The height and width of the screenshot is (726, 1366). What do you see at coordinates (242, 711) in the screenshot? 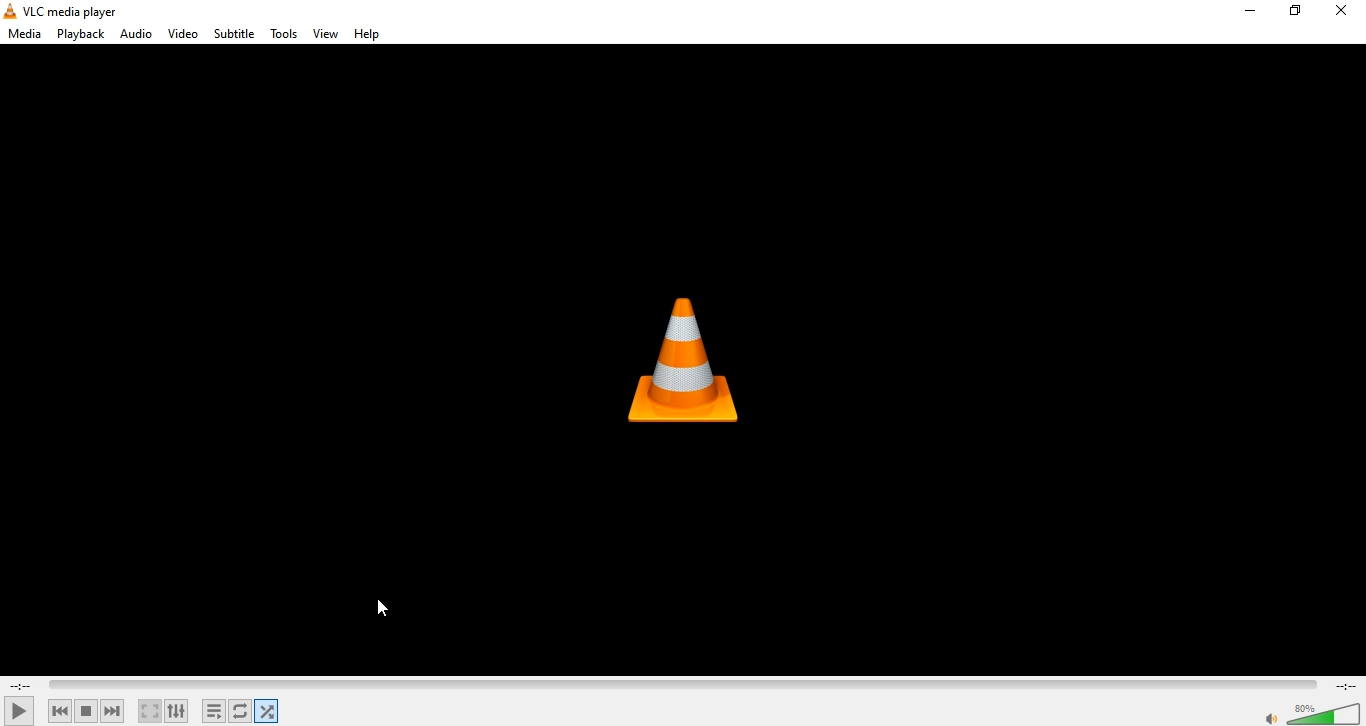
I see `click to toggle between loop all, loop one and no one` at bounding box center [242, 711].